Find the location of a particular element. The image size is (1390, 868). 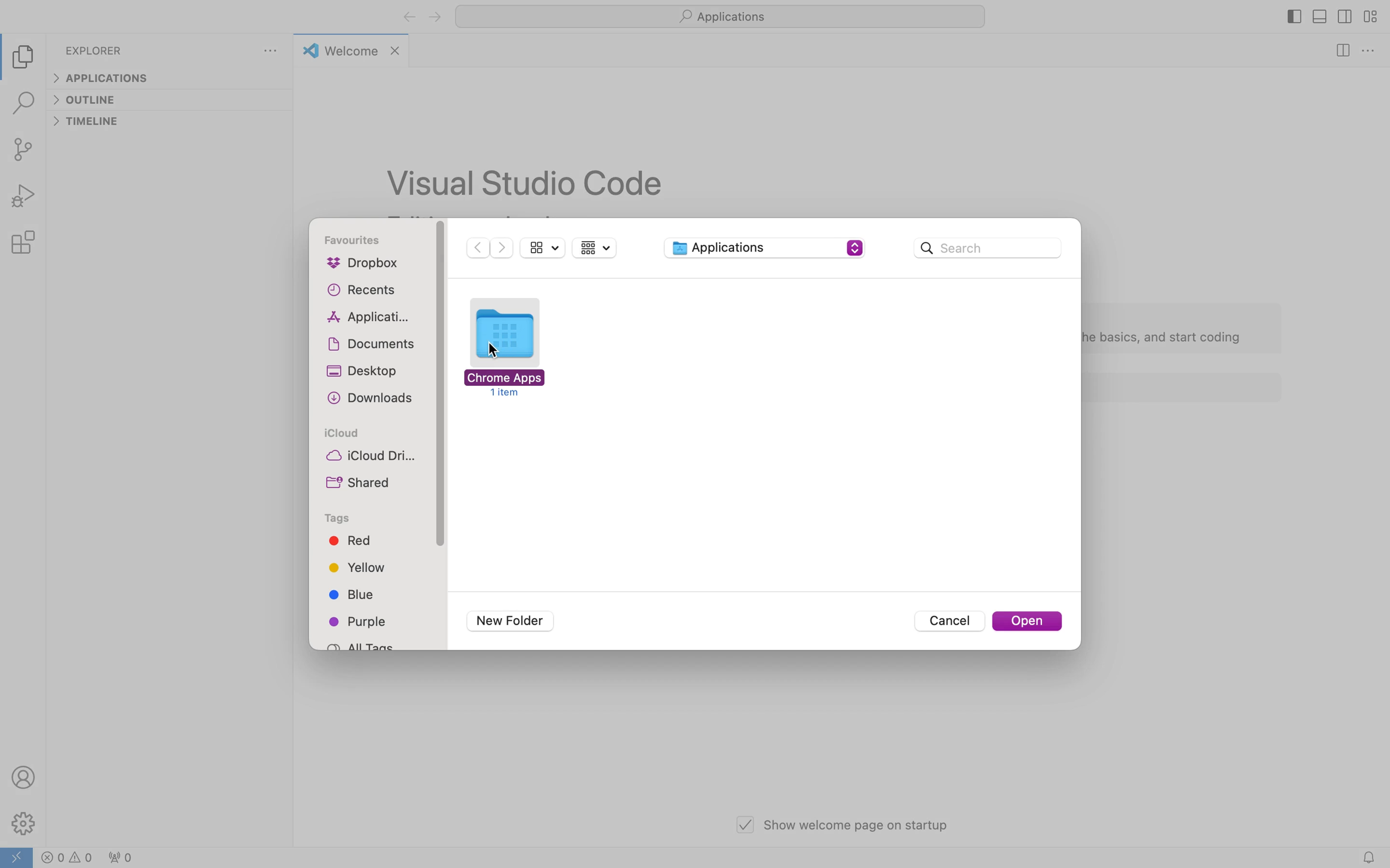

documents is located at coordinates (376, 344).